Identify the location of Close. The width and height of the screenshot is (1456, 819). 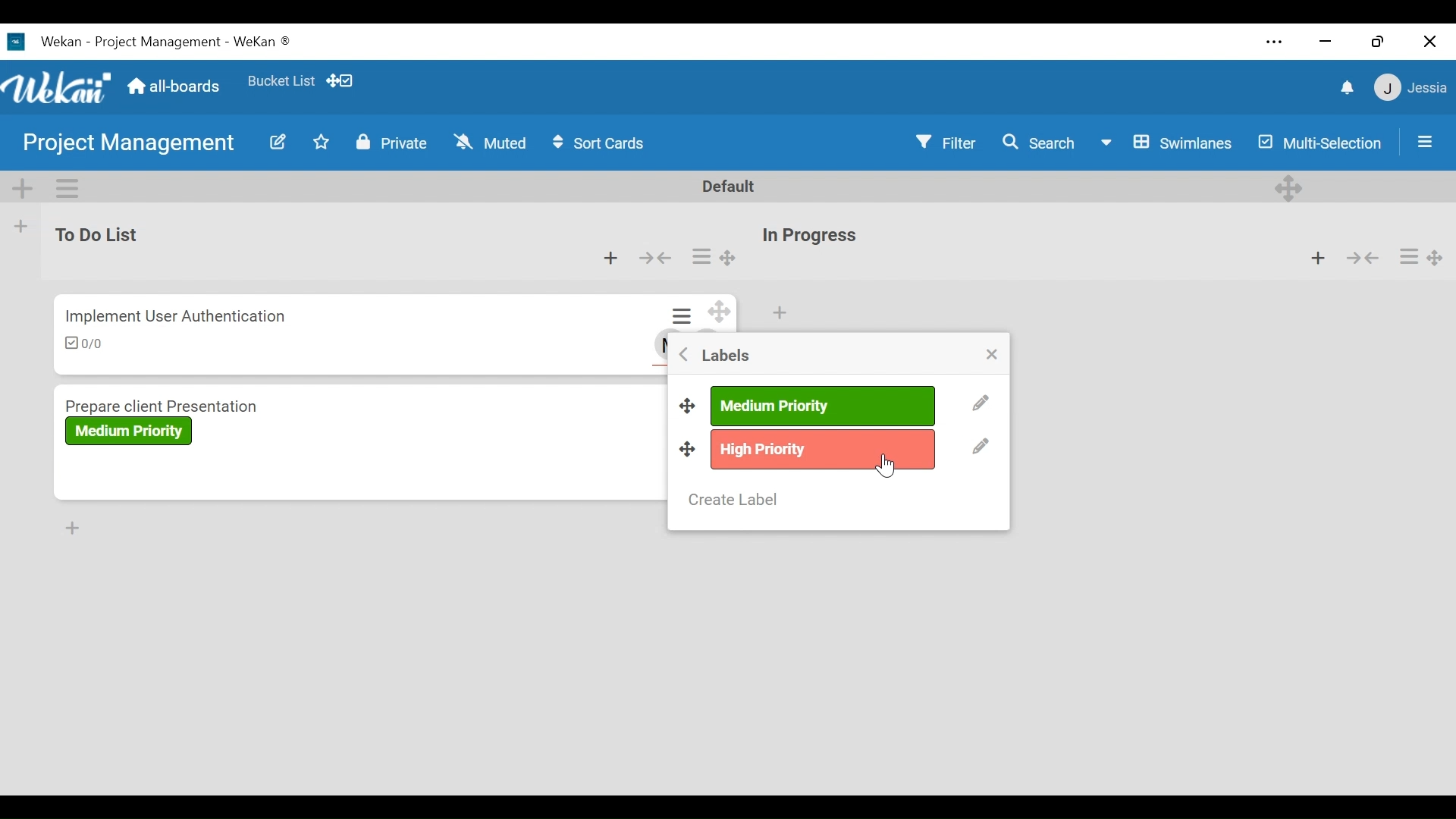
(1430, 41).